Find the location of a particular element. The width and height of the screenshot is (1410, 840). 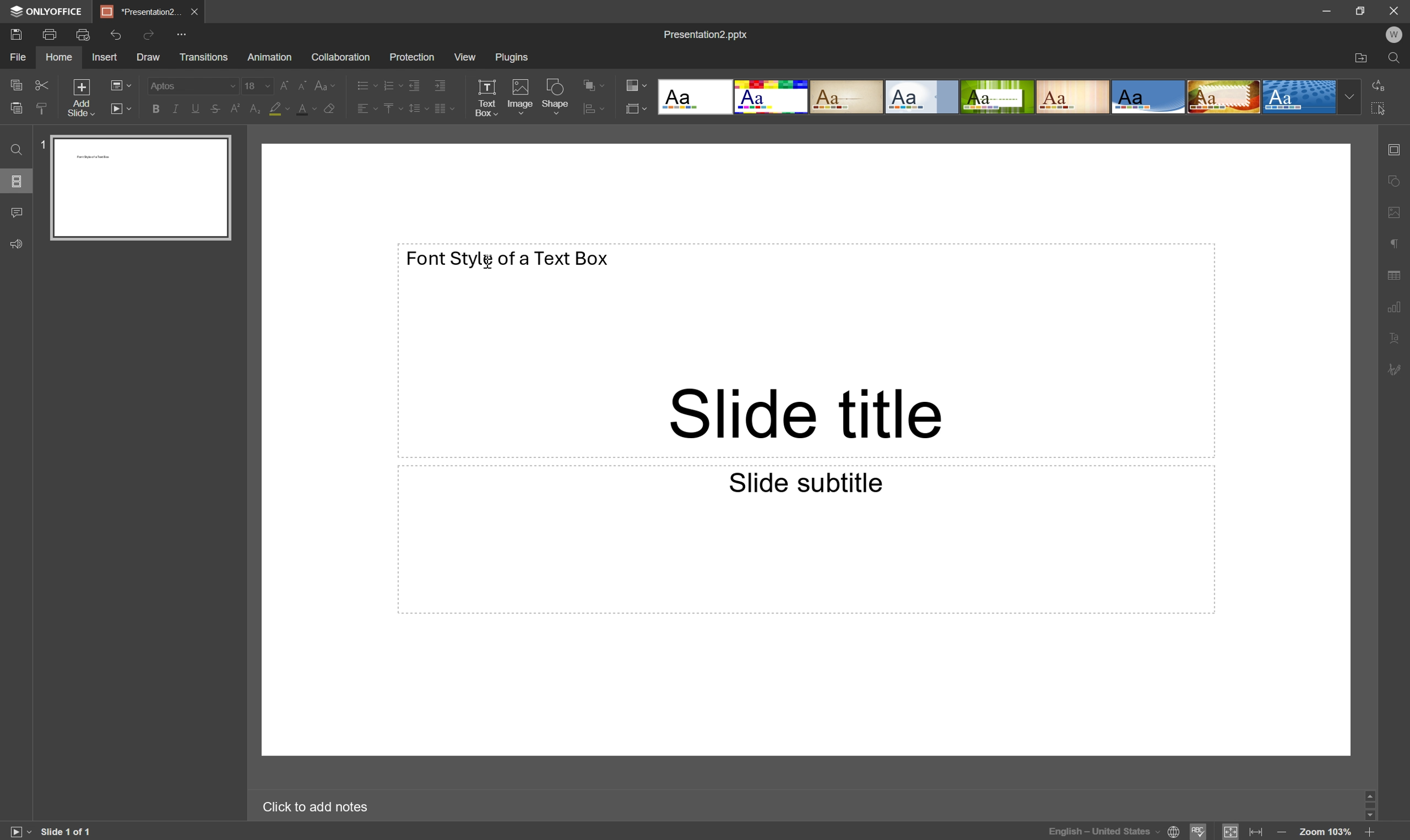

Add slide is located at coordinates (81, 96).